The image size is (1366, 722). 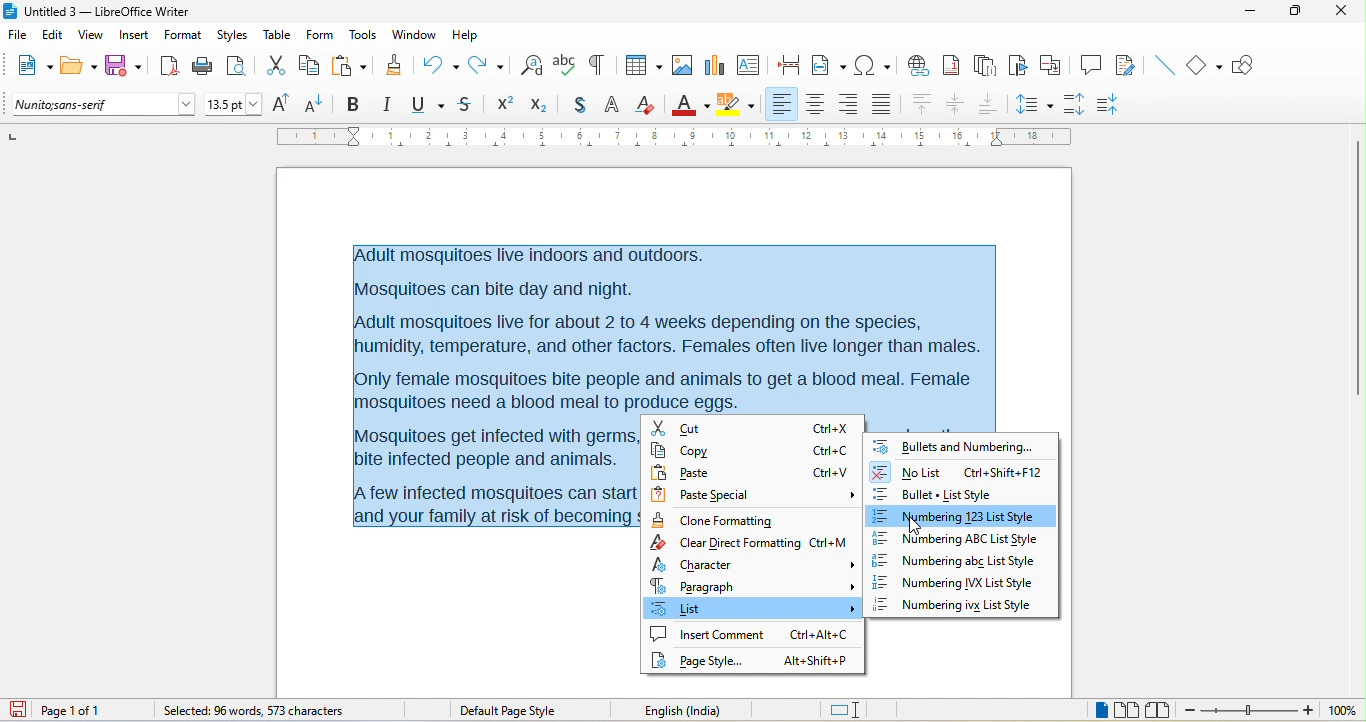 I want to click on basic shape, so click(x=1207, y=66).